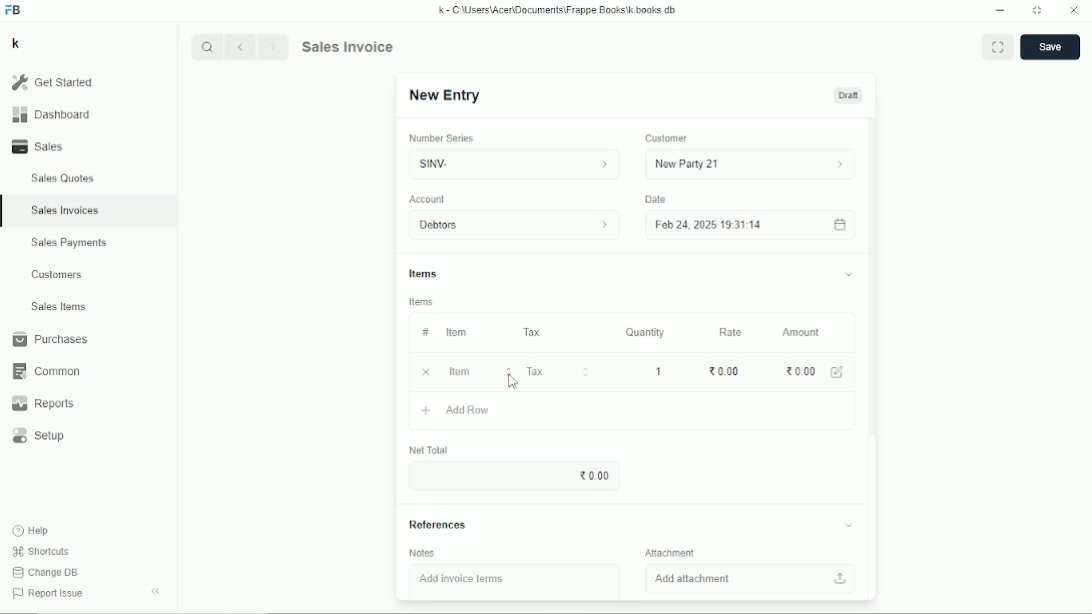 This screenshot has height=614, width=1092. What do you see at coordinates (752, 225) in the screenshot?
I see `Feb 24, 2025 19:31:14` at bounding box center [752, 225].